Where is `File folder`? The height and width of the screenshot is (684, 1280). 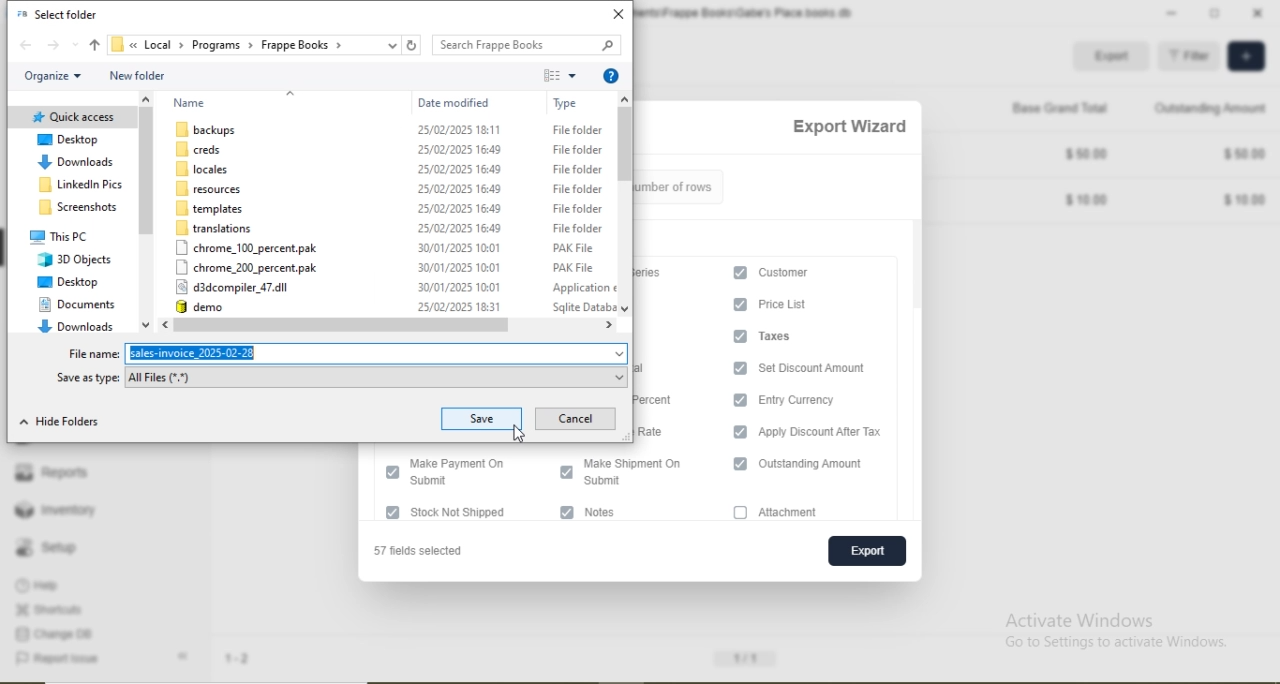 File folder is located at coordinates (575, 149).